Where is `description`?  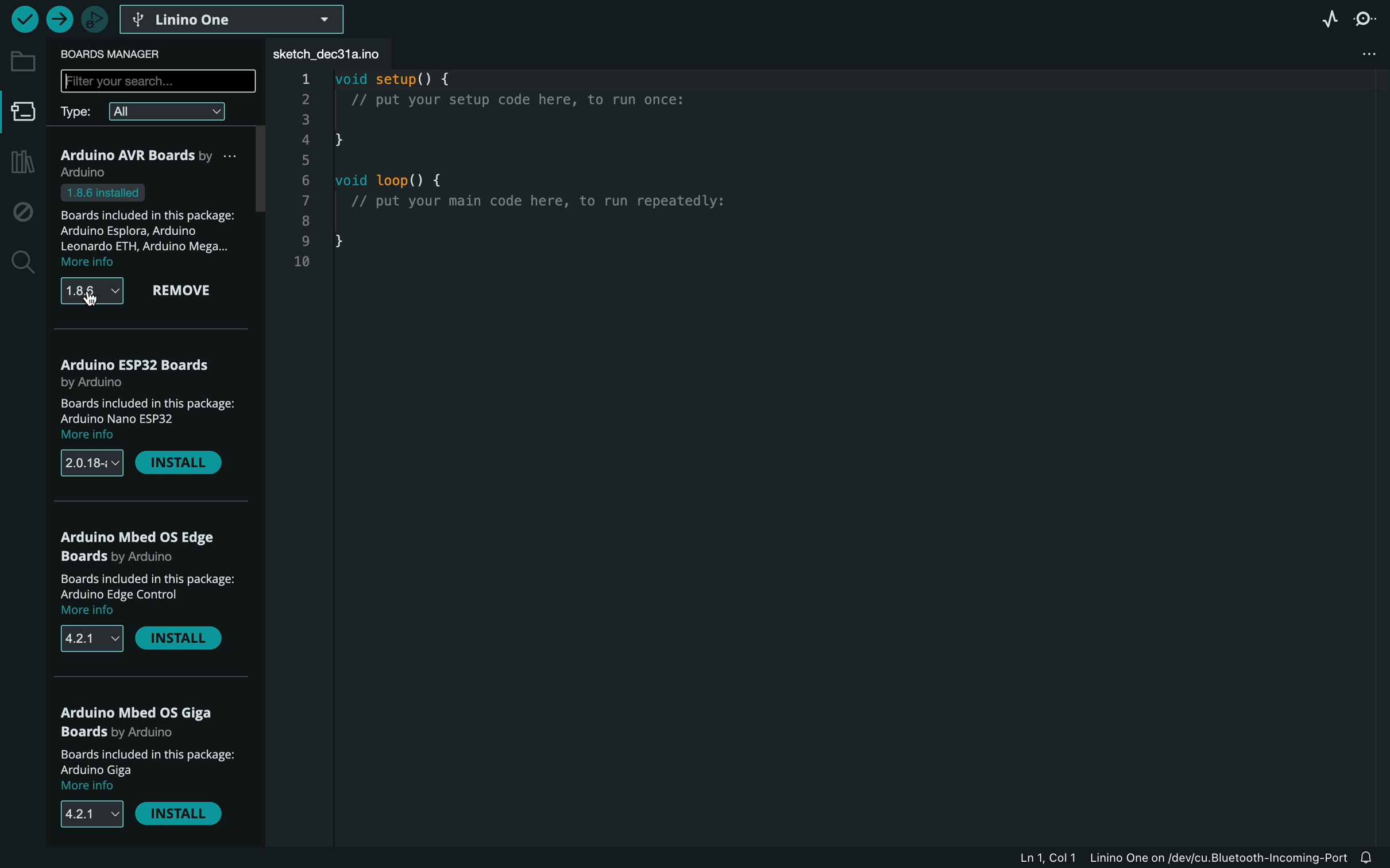
description is located at coordinates (144, 419).